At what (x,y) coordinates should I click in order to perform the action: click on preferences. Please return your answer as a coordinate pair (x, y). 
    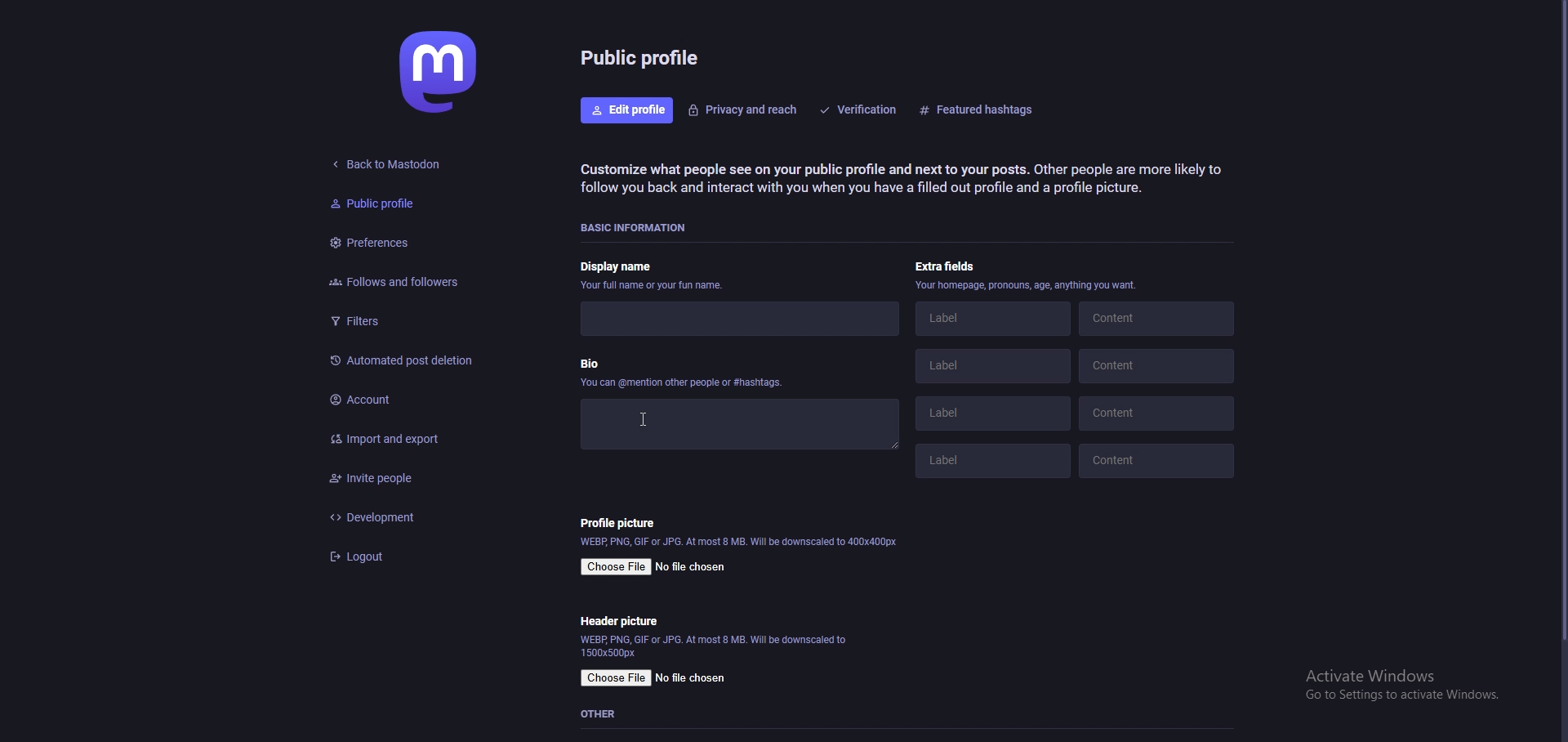
    Looking at the image, I should click on (403, 242).